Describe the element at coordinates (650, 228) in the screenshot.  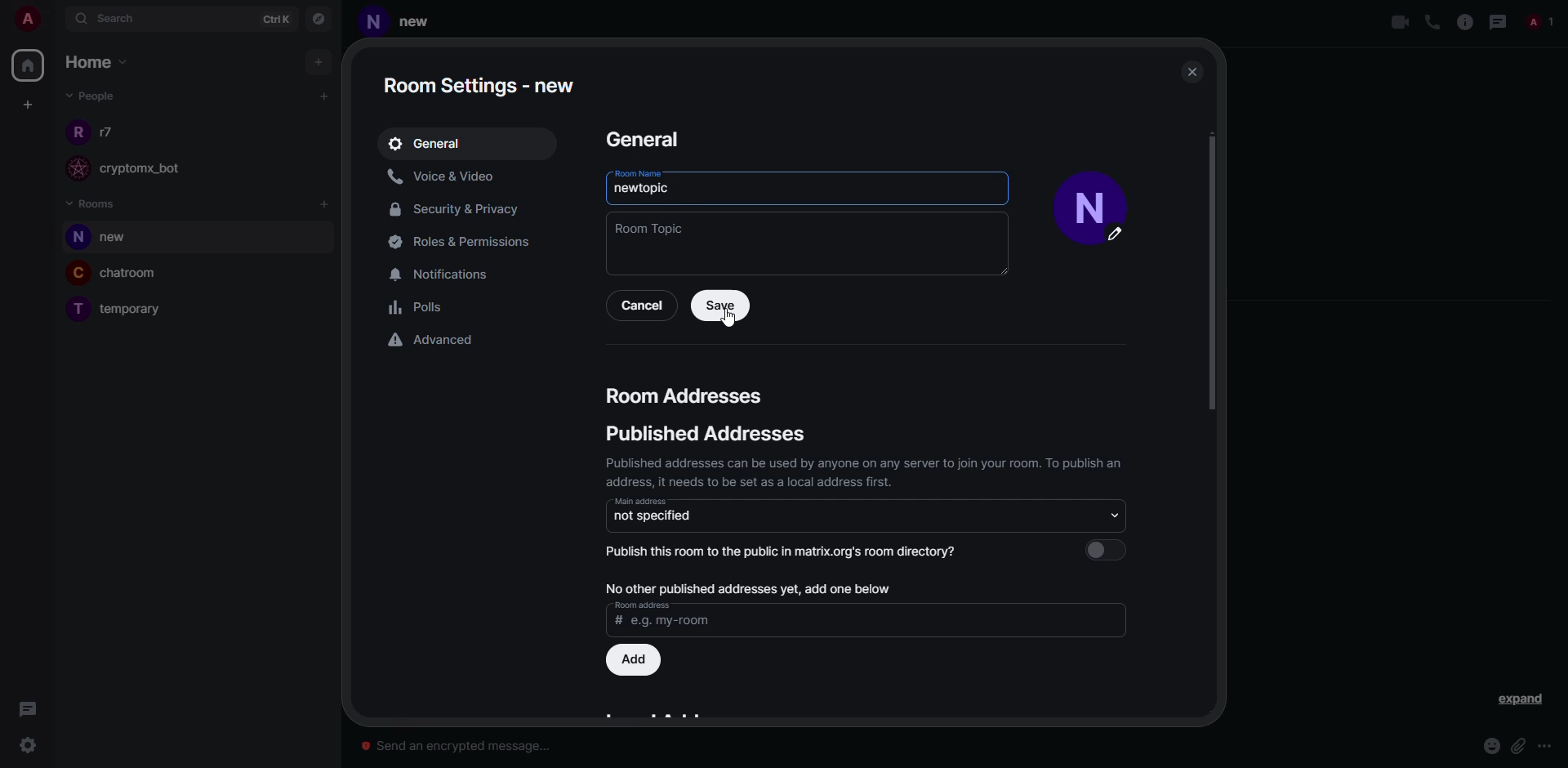
I see `room topic` at that location.